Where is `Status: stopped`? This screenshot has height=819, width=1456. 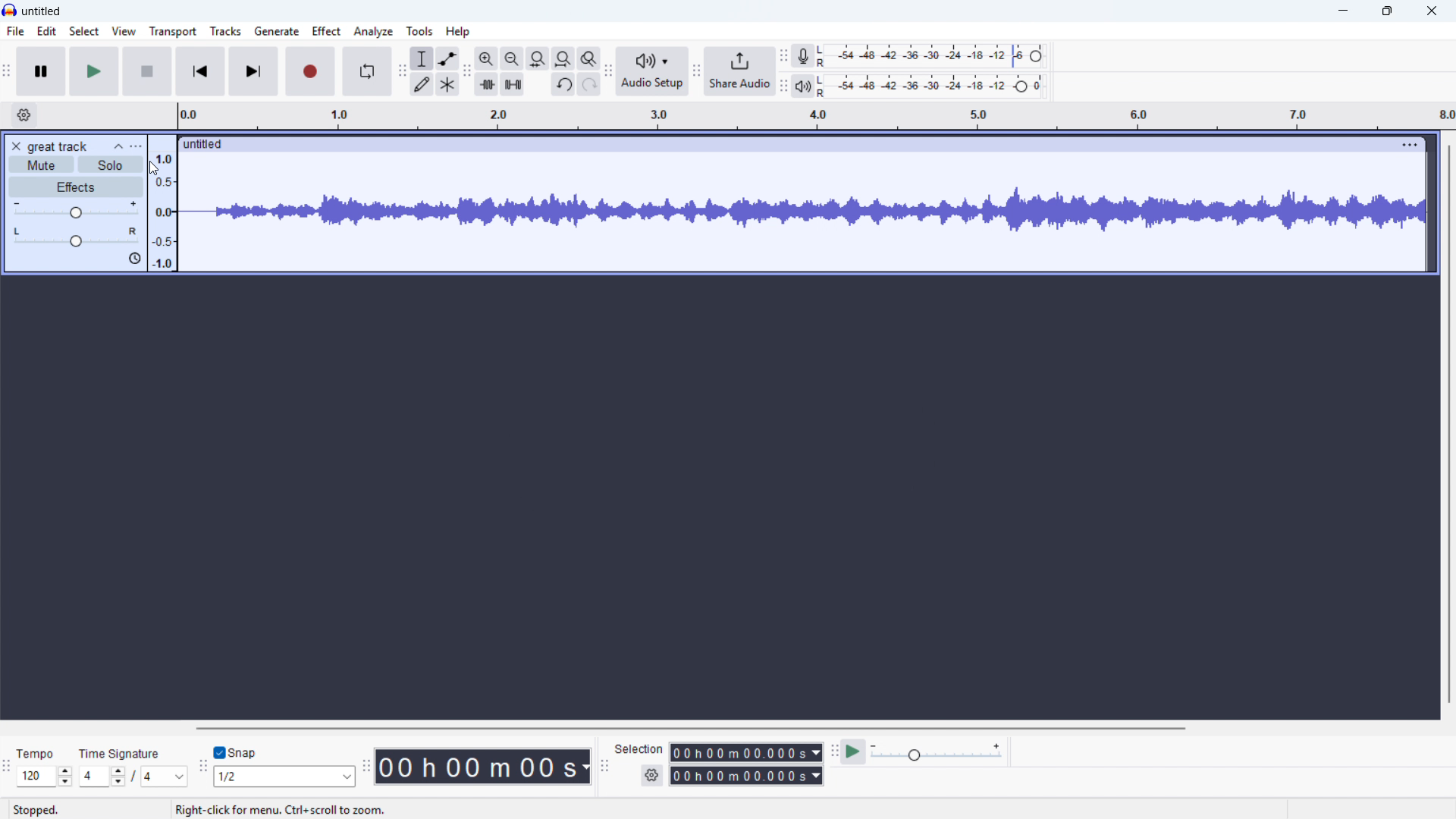 Status: stopped is located at coordinates (36, 810).